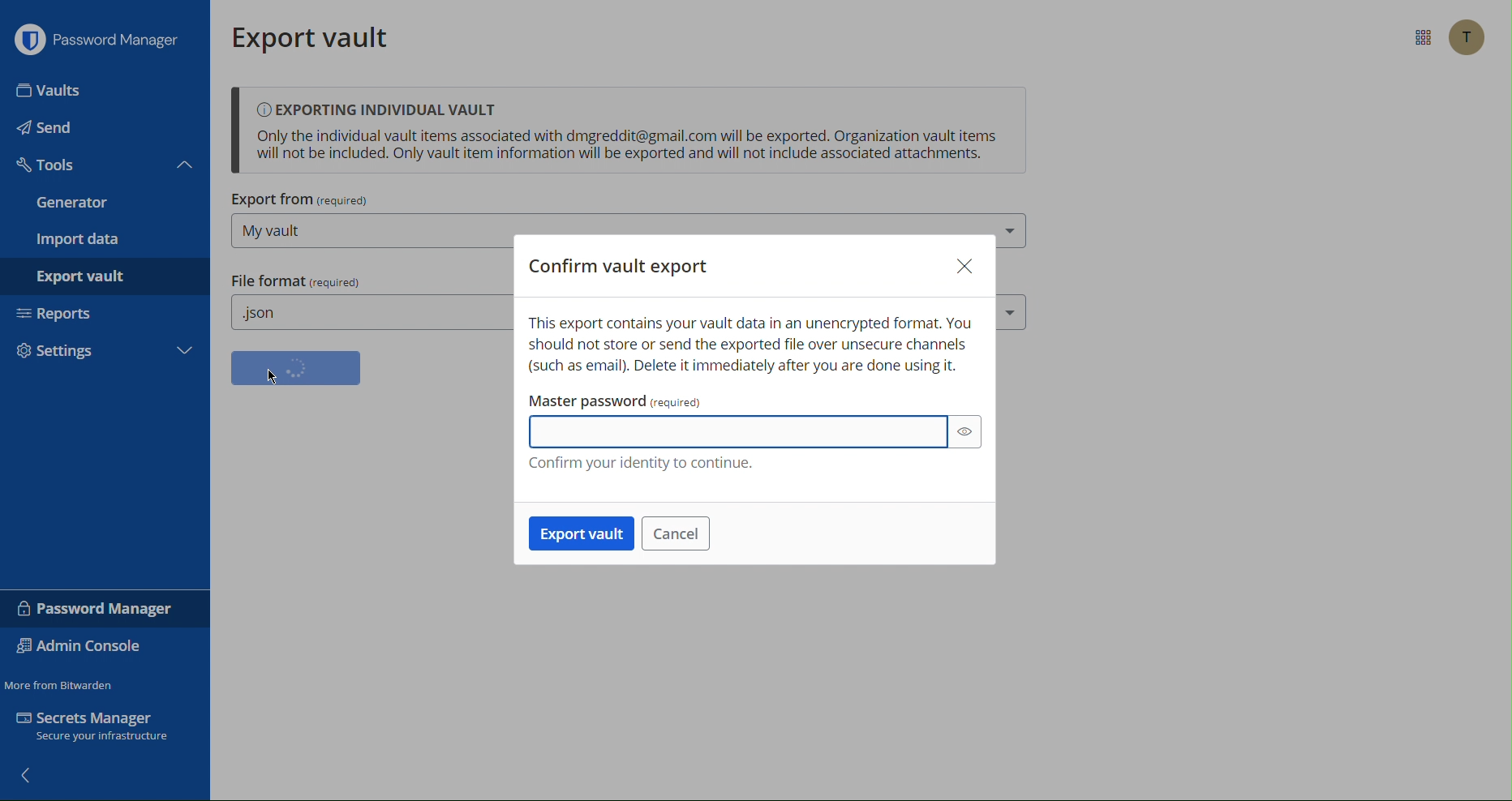 This screenshot has height=801, width=1512. I want to click on Admin Console, so click(85, 647).